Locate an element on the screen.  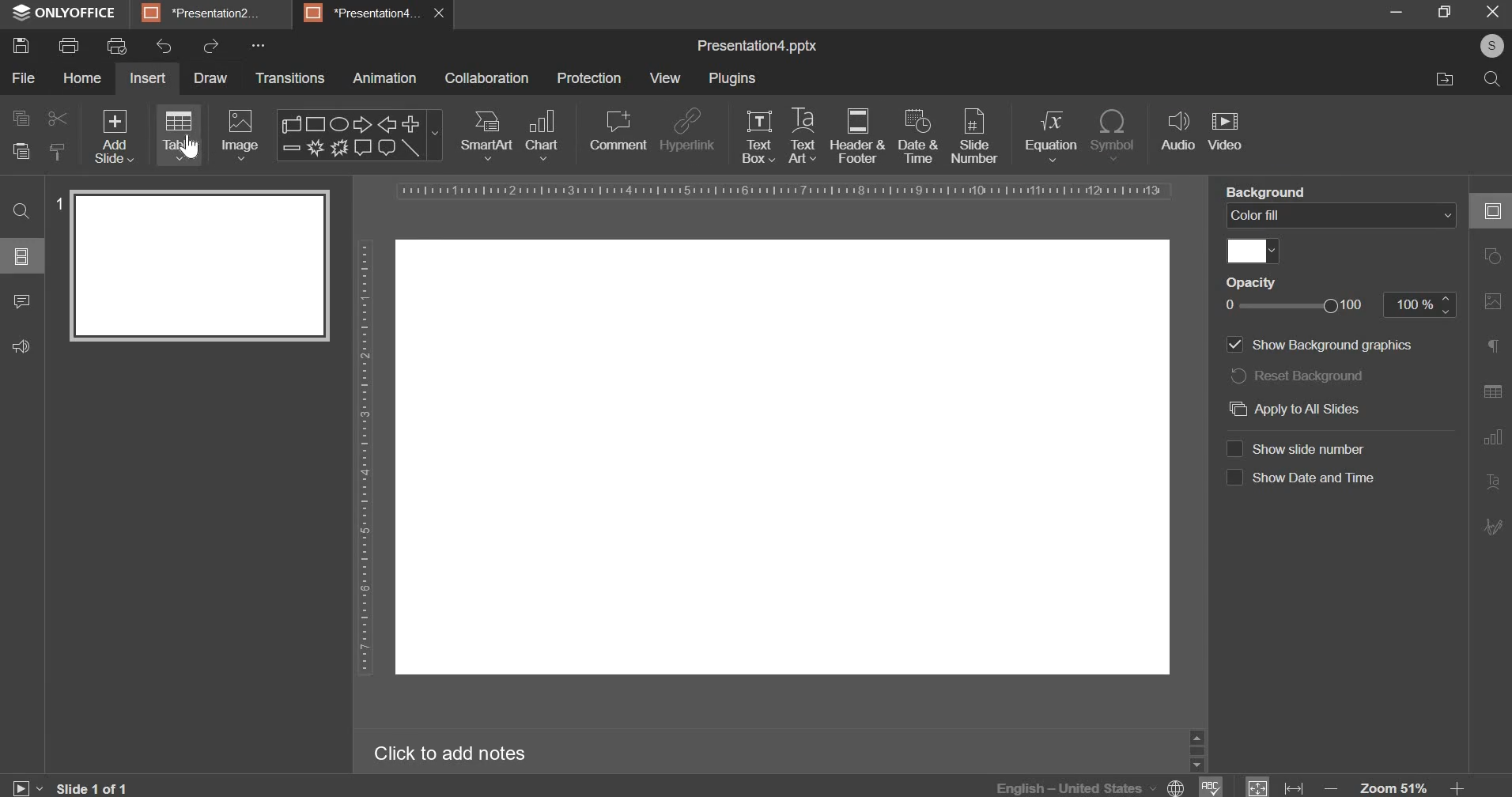
spell checking is located at coordinates (1213, 786).